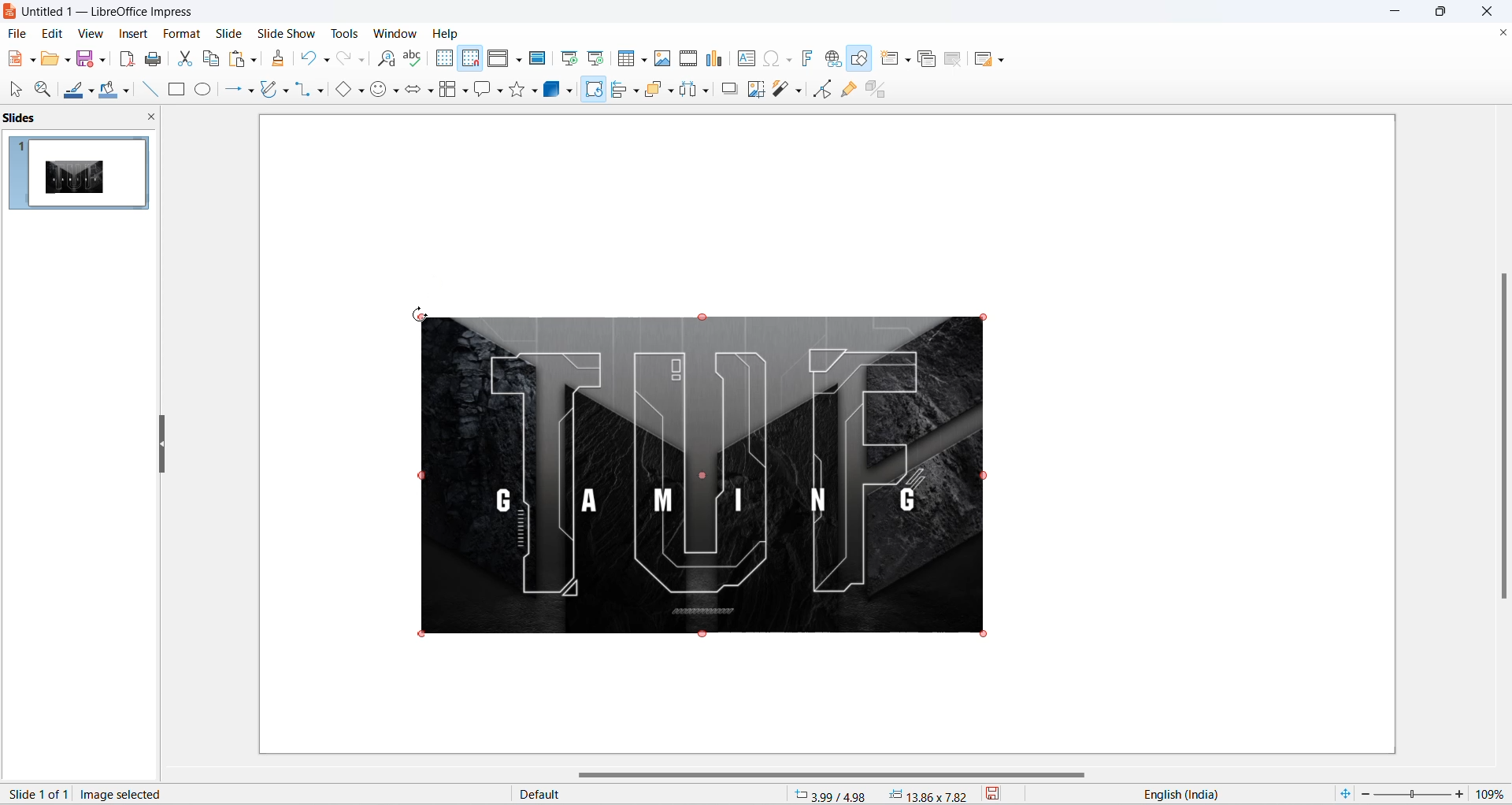 This screenshot has height=805, width=1512. I want to click on show gluepoint functions, so click(852, 89).